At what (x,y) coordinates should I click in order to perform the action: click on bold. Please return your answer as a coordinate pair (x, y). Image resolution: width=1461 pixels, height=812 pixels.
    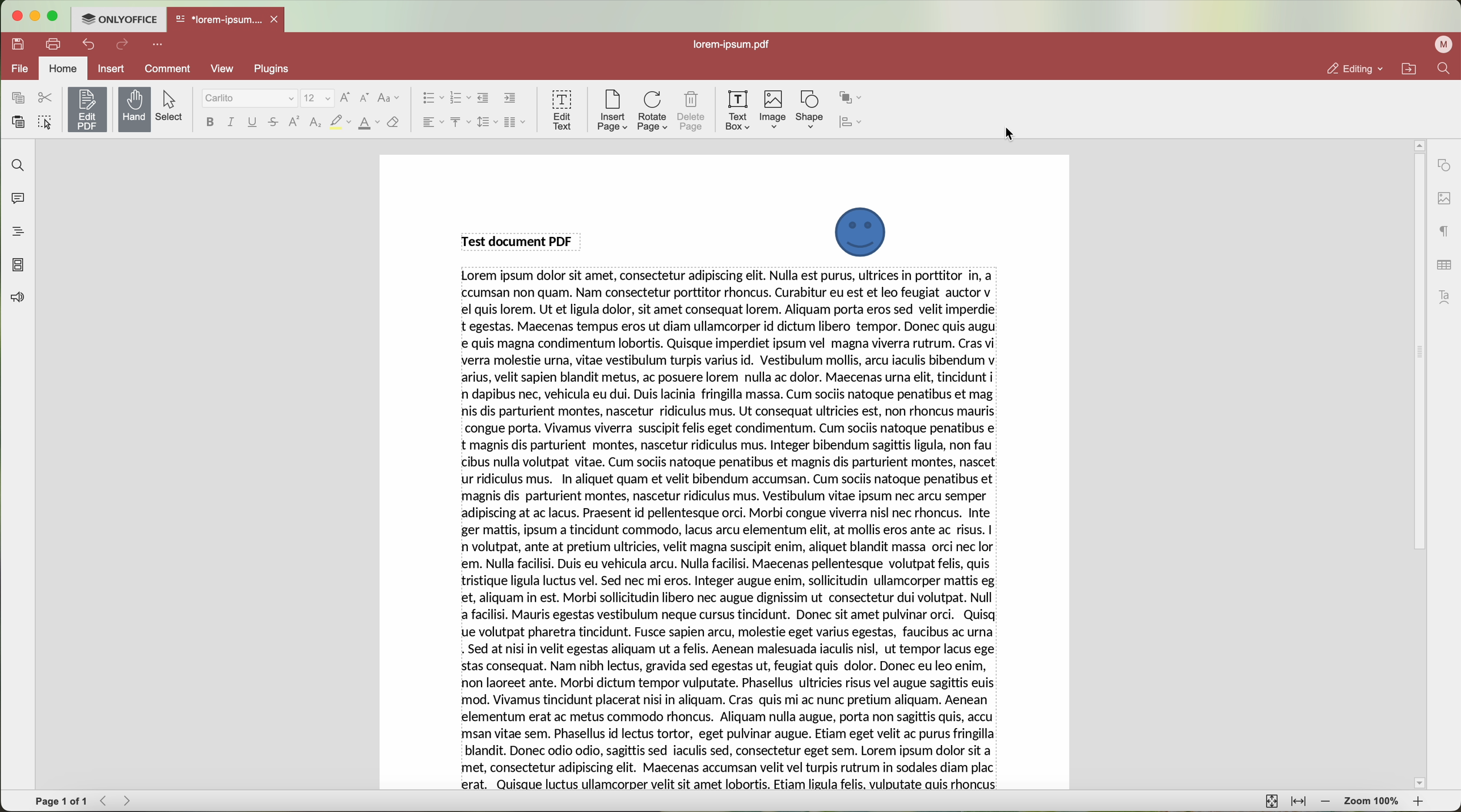
    Looking at the image, I should click on (208, 122).